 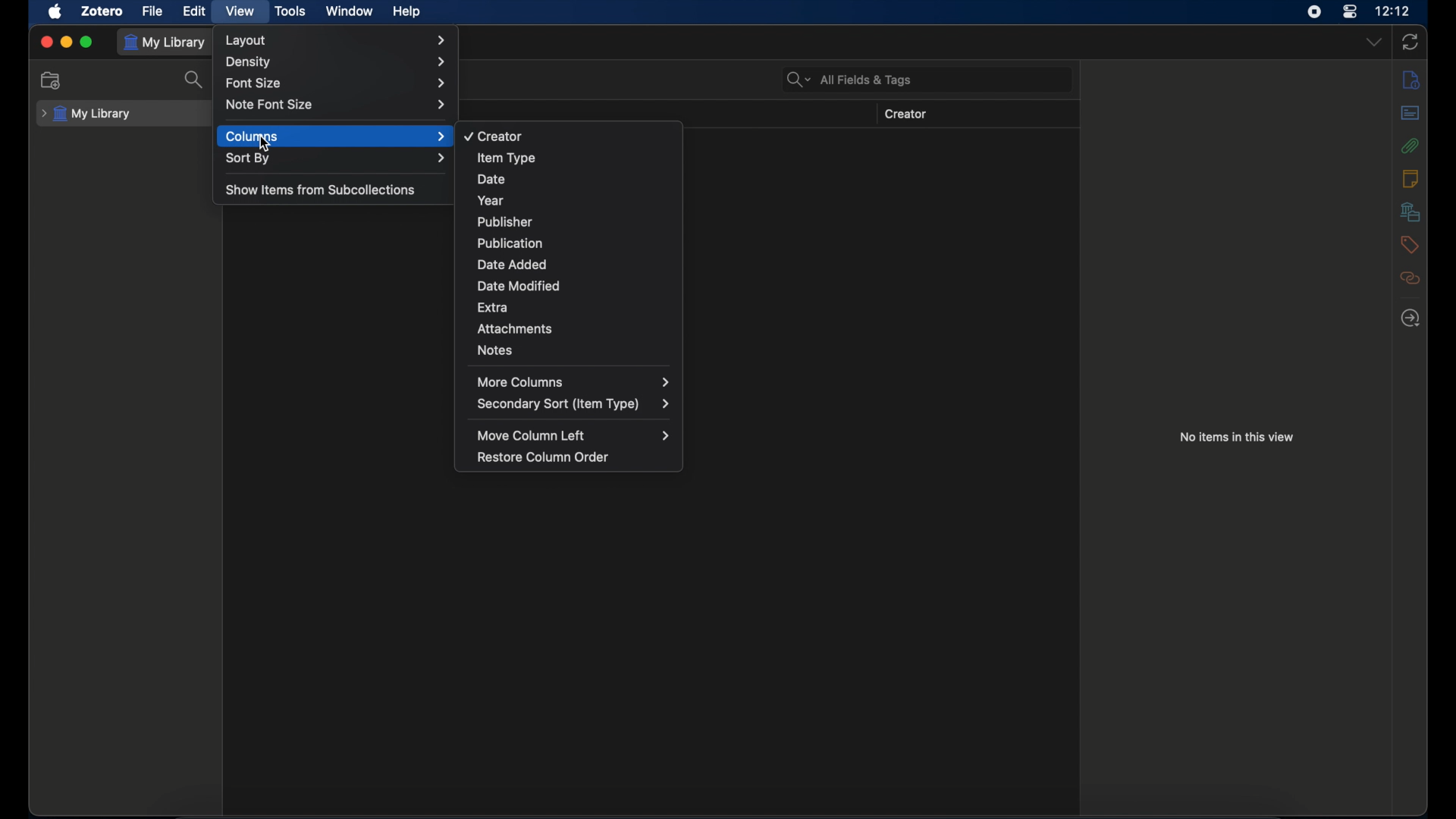 I want to click on minimize, so click(x=67, y=42).